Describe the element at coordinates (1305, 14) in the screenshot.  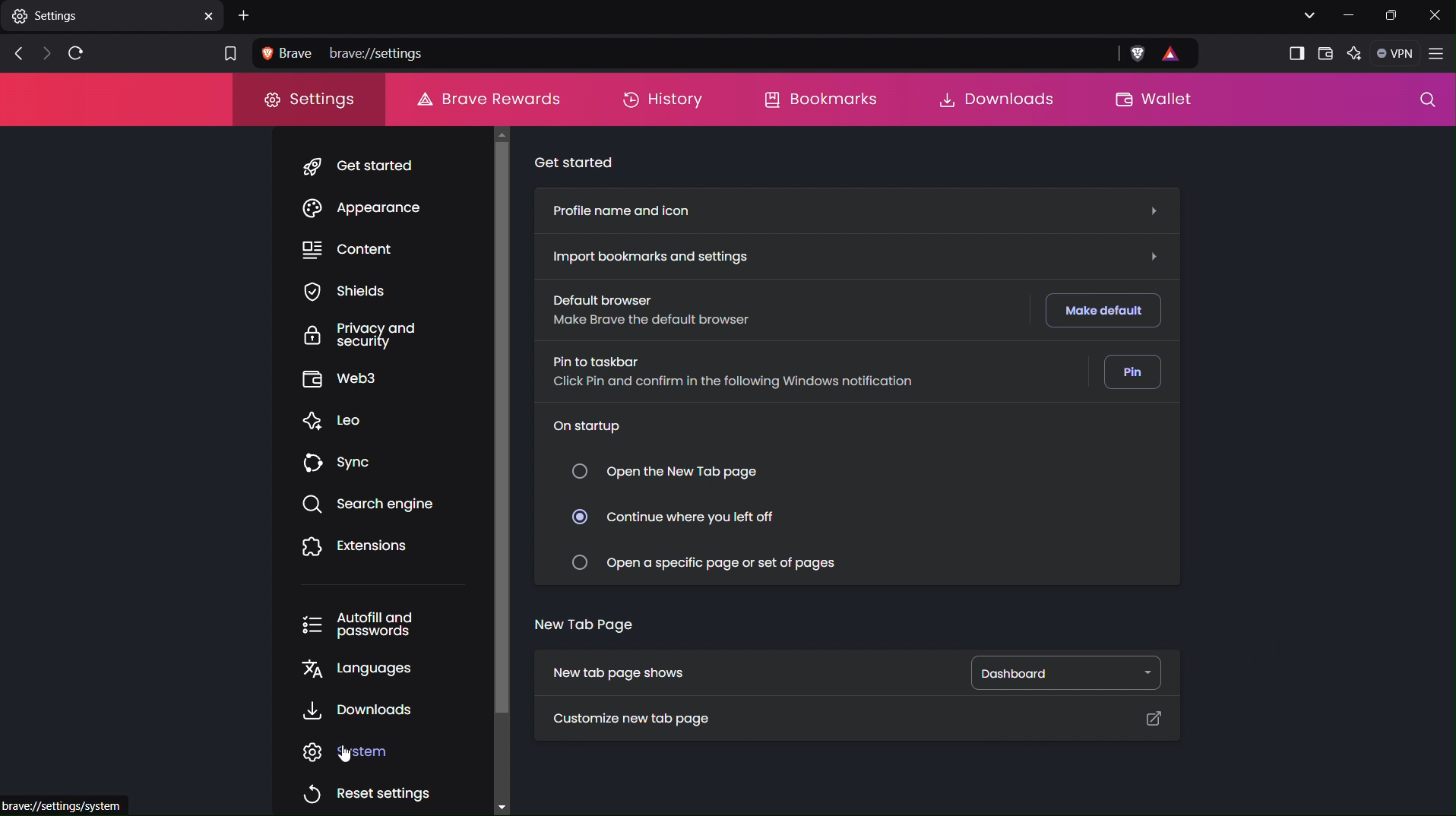
I see `List all tabs` at that location.